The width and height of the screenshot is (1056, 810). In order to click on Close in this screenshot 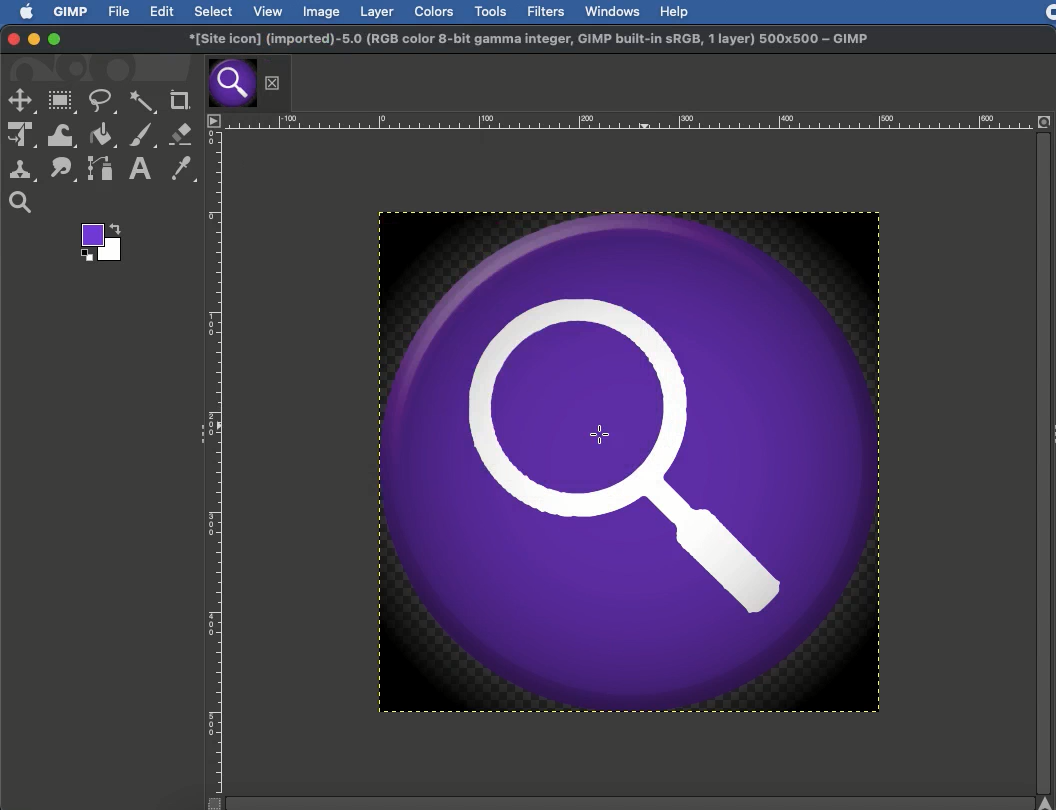, I will do `click(272, 81)`.